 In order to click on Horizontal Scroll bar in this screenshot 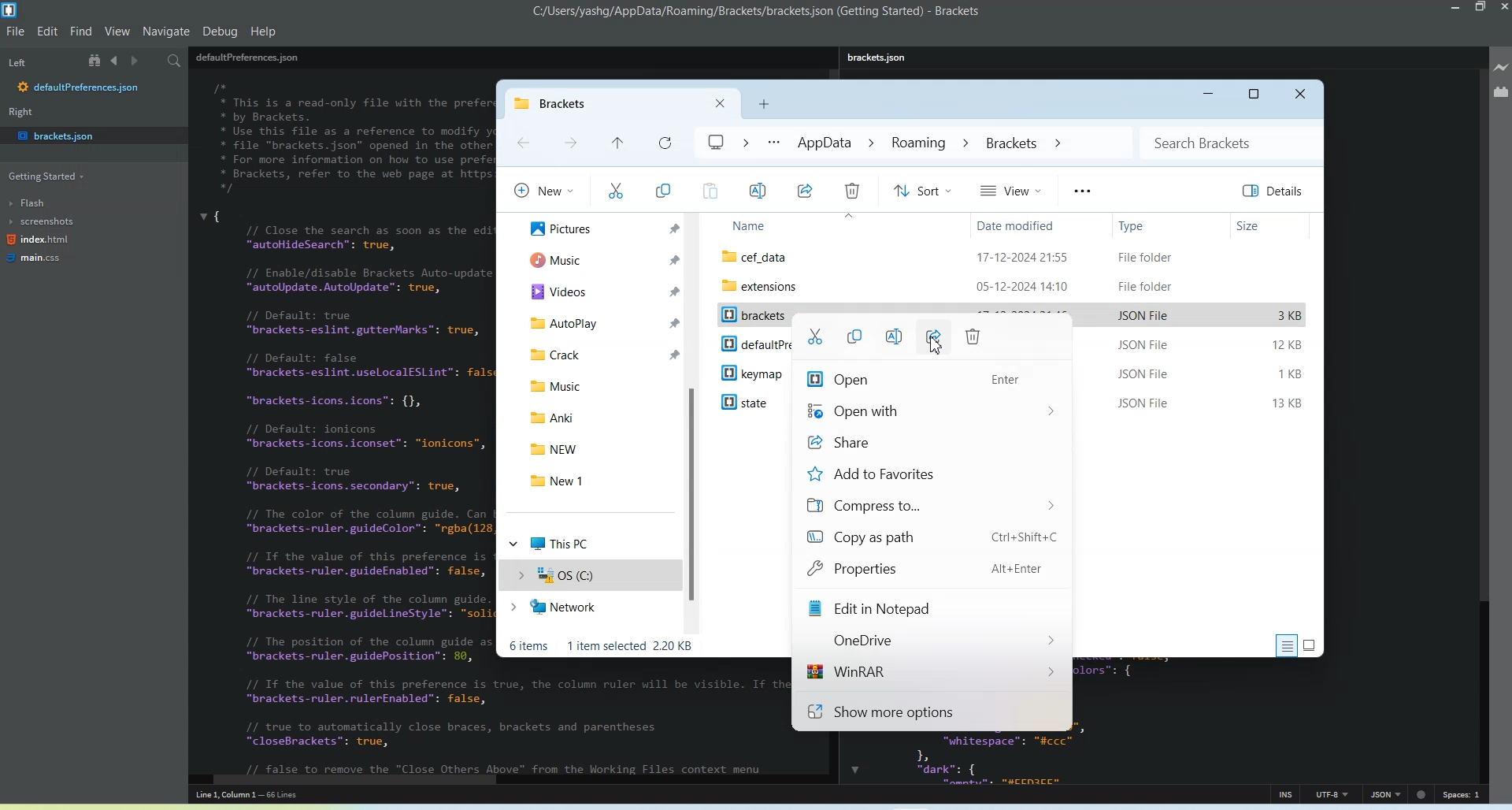, I will do `click(505, 780)`.